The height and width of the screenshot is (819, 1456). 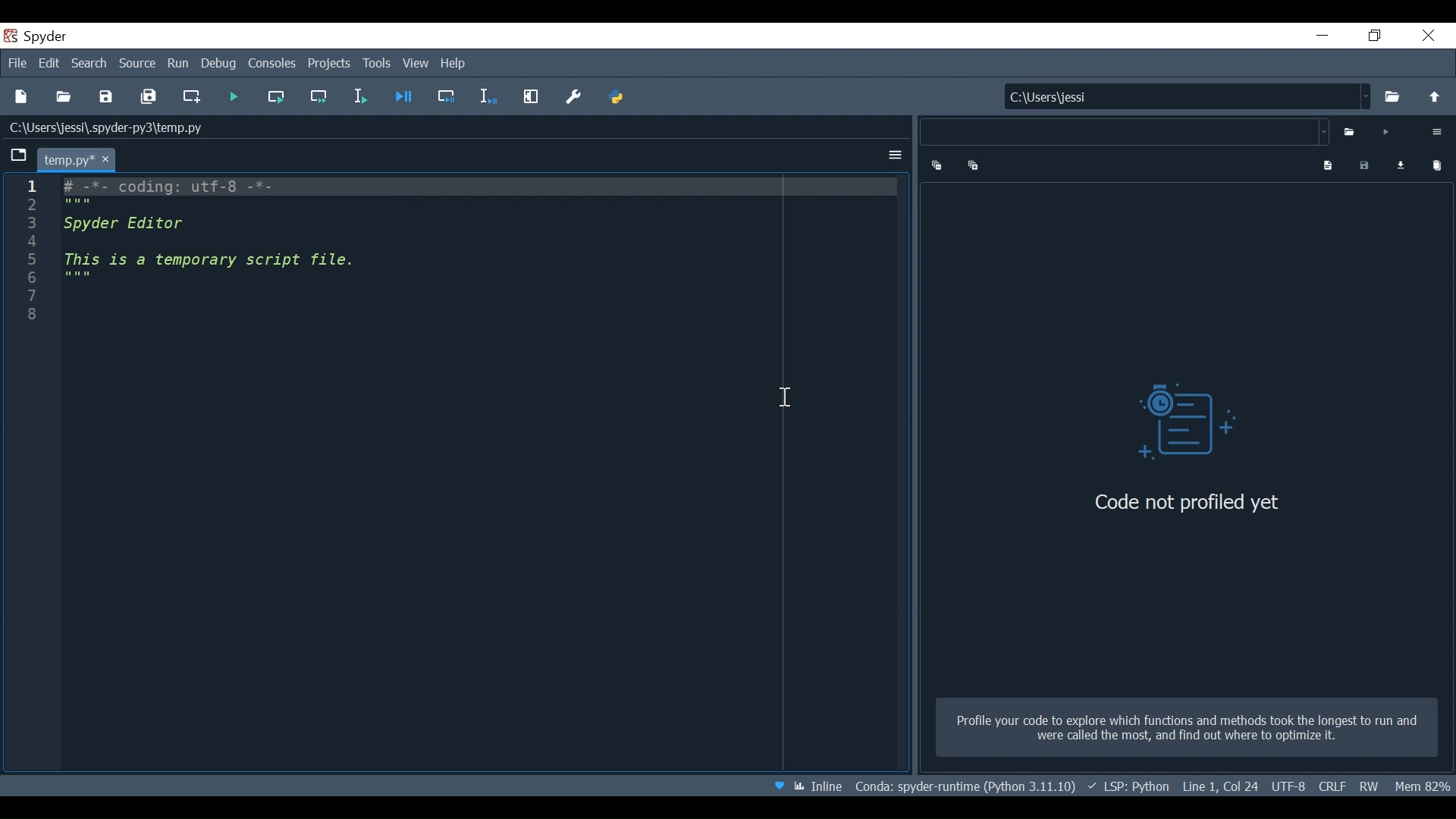 What do you see at coordinates (938, 165) in the screenshot?
I see `Collapse one level up` at bounding box center [938, 165].